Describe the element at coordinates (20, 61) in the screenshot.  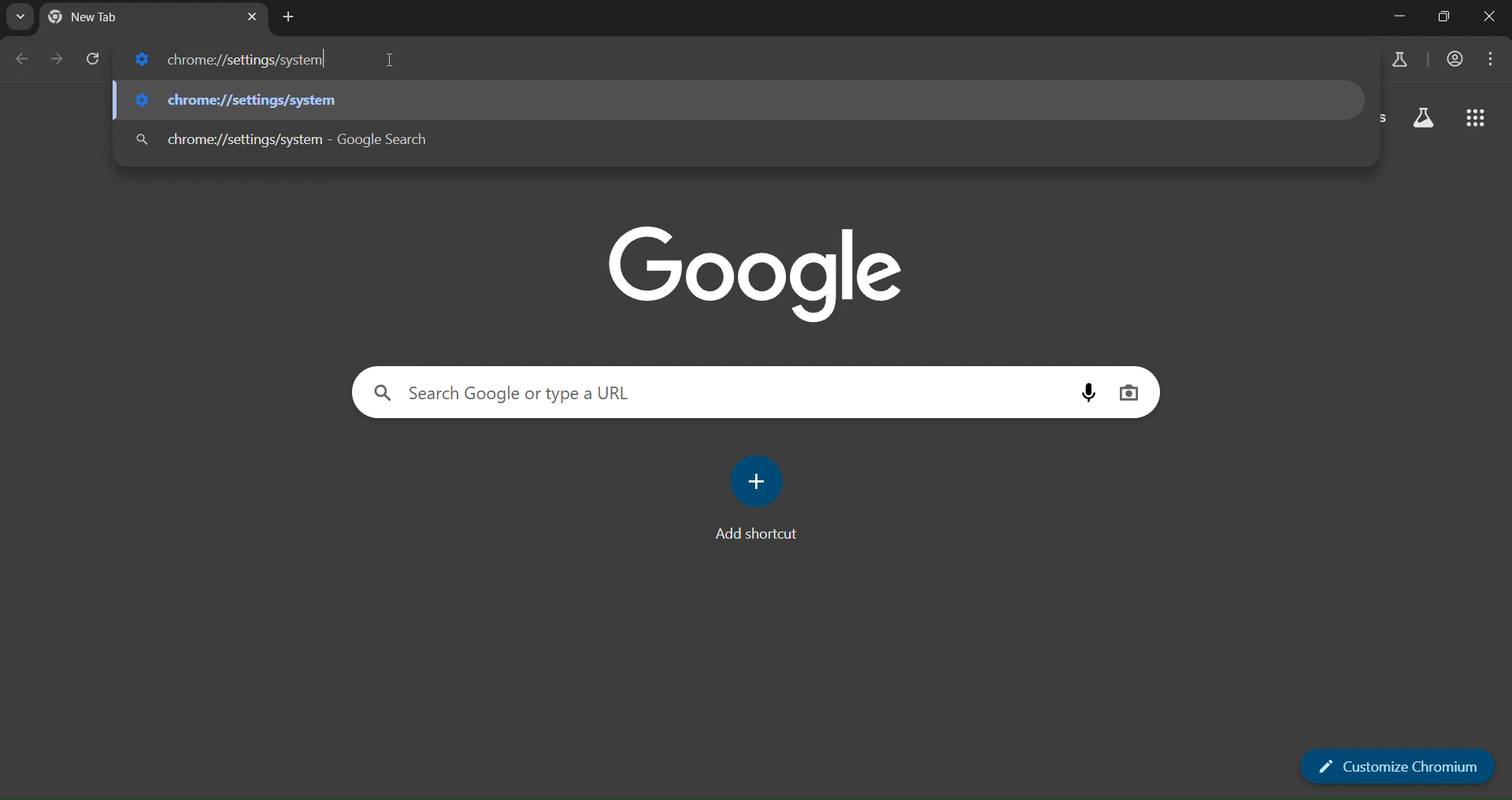
I see `go back one page` at that location.